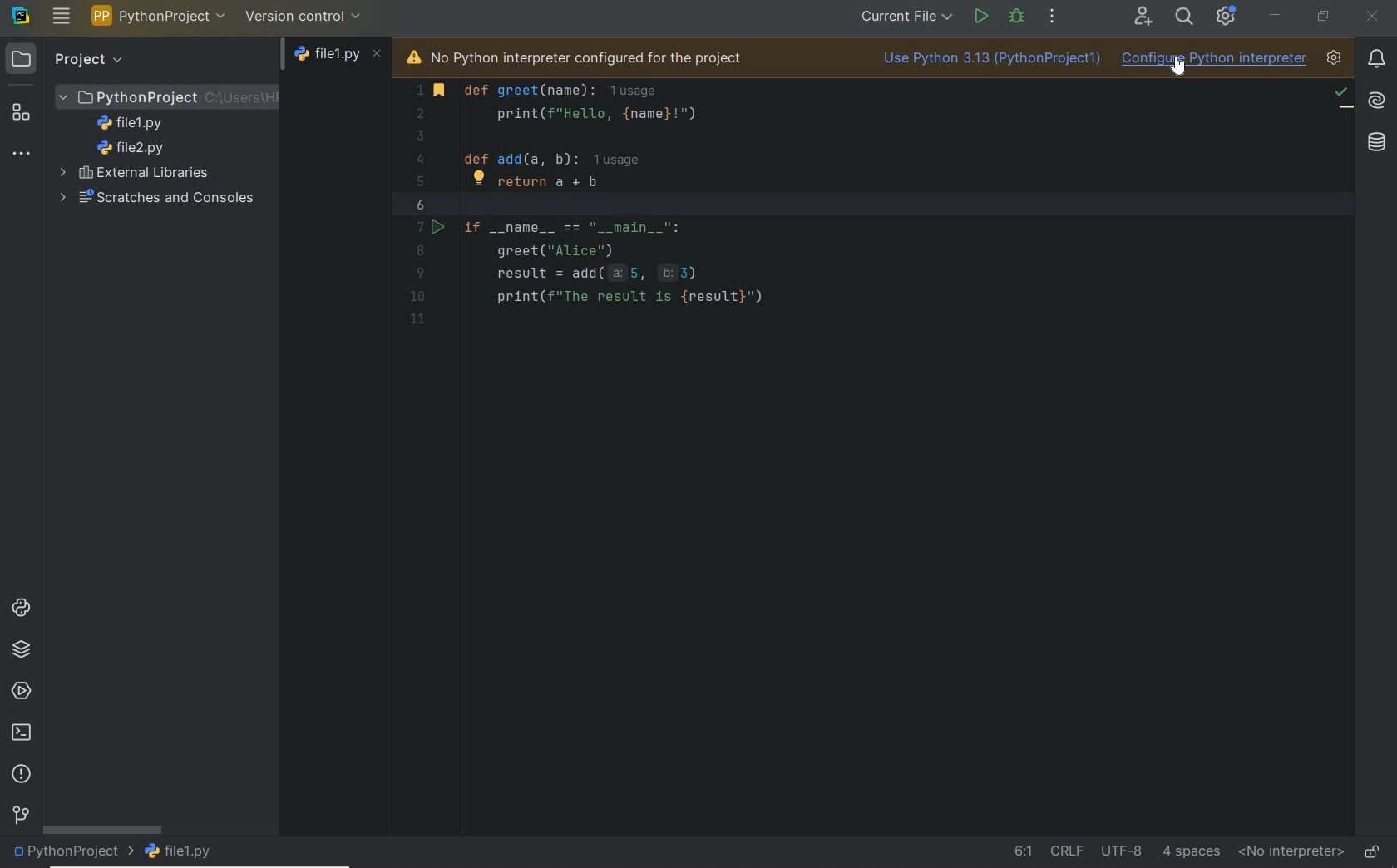 This screenshot has width=1397, height=868. Describe the element at coordinates (1227, 18) in the screenshot. I see `Ide and Project Settings` at that location.